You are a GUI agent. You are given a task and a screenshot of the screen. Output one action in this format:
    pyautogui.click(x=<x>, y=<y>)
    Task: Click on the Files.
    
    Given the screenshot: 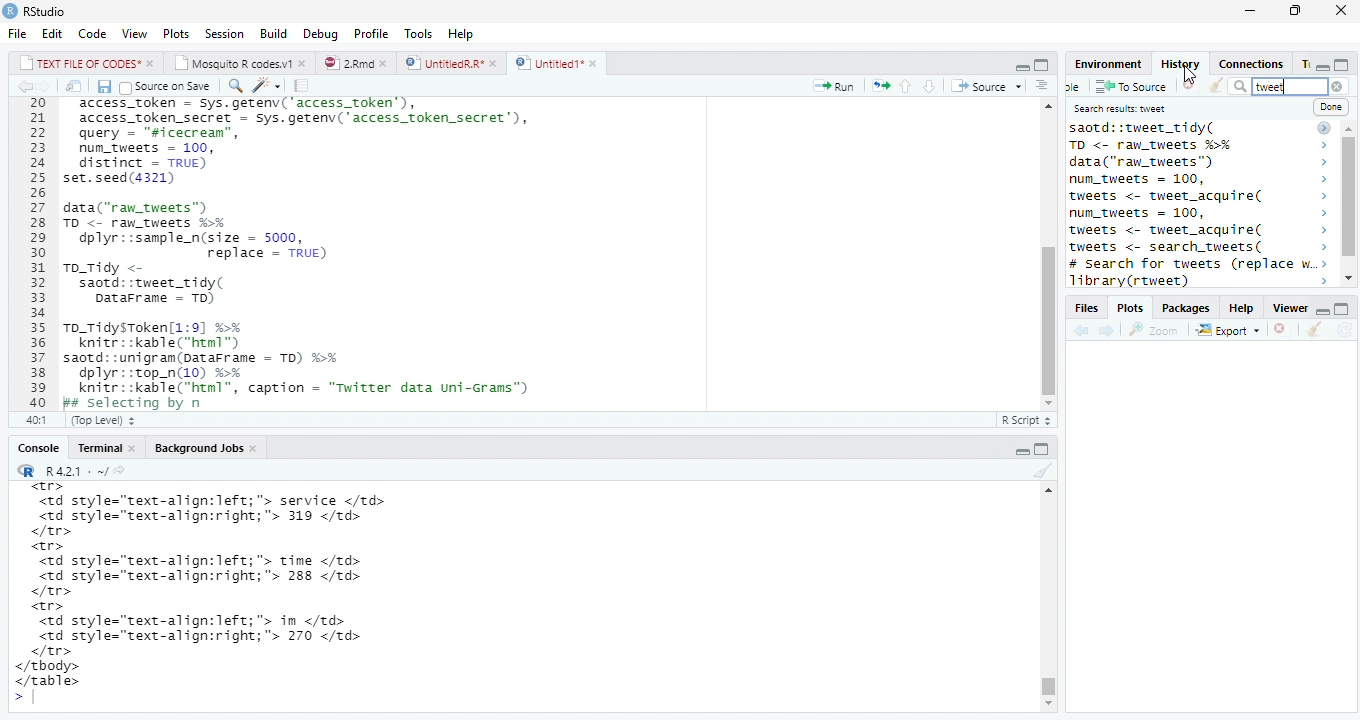 What is the action you would take?
    pyautogui.click(x=1085, y=307)
    